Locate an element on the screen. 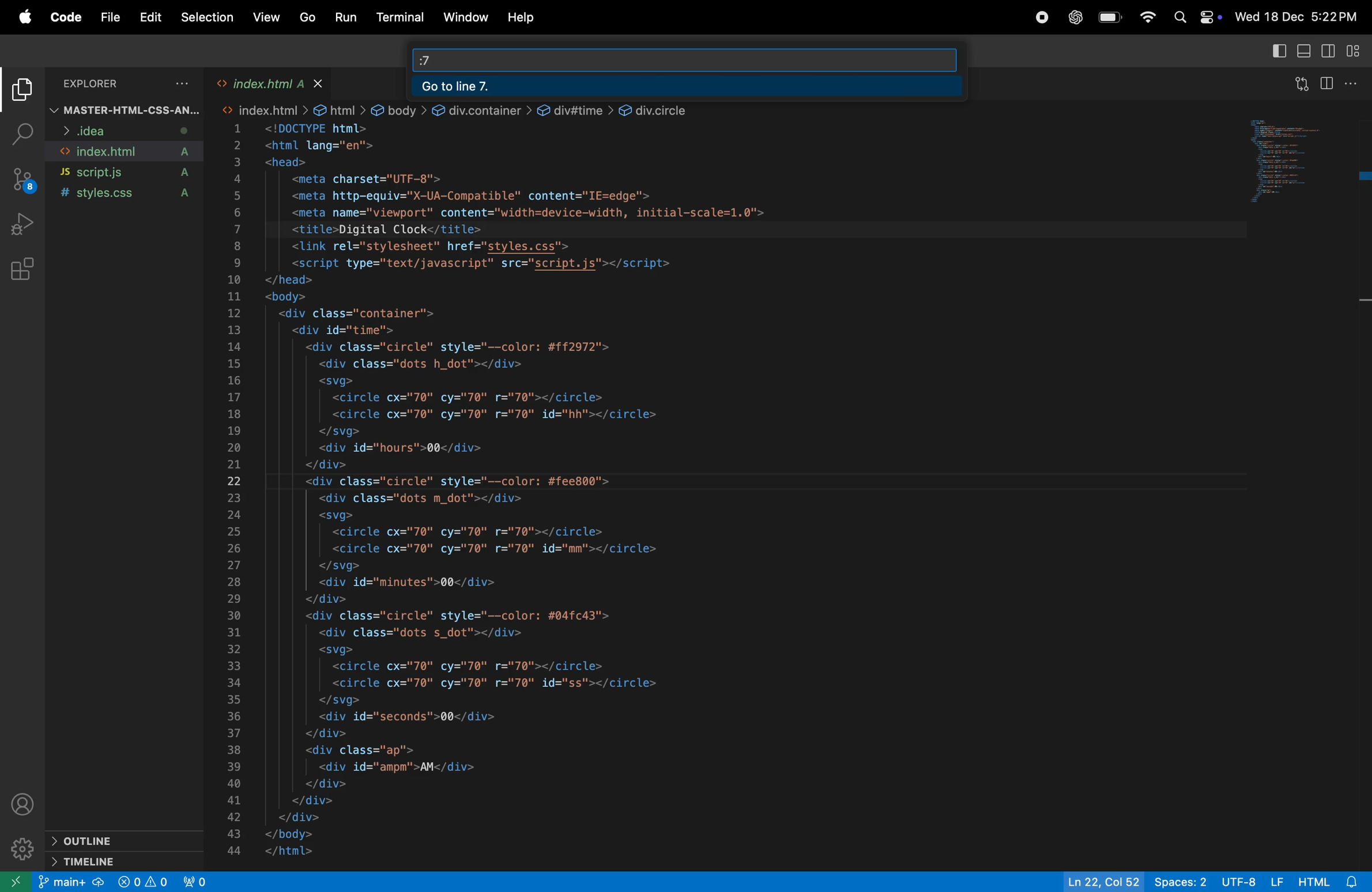 The width and height of the screenshot is (1372, 892). battery is located at coordinates (1108, 18).